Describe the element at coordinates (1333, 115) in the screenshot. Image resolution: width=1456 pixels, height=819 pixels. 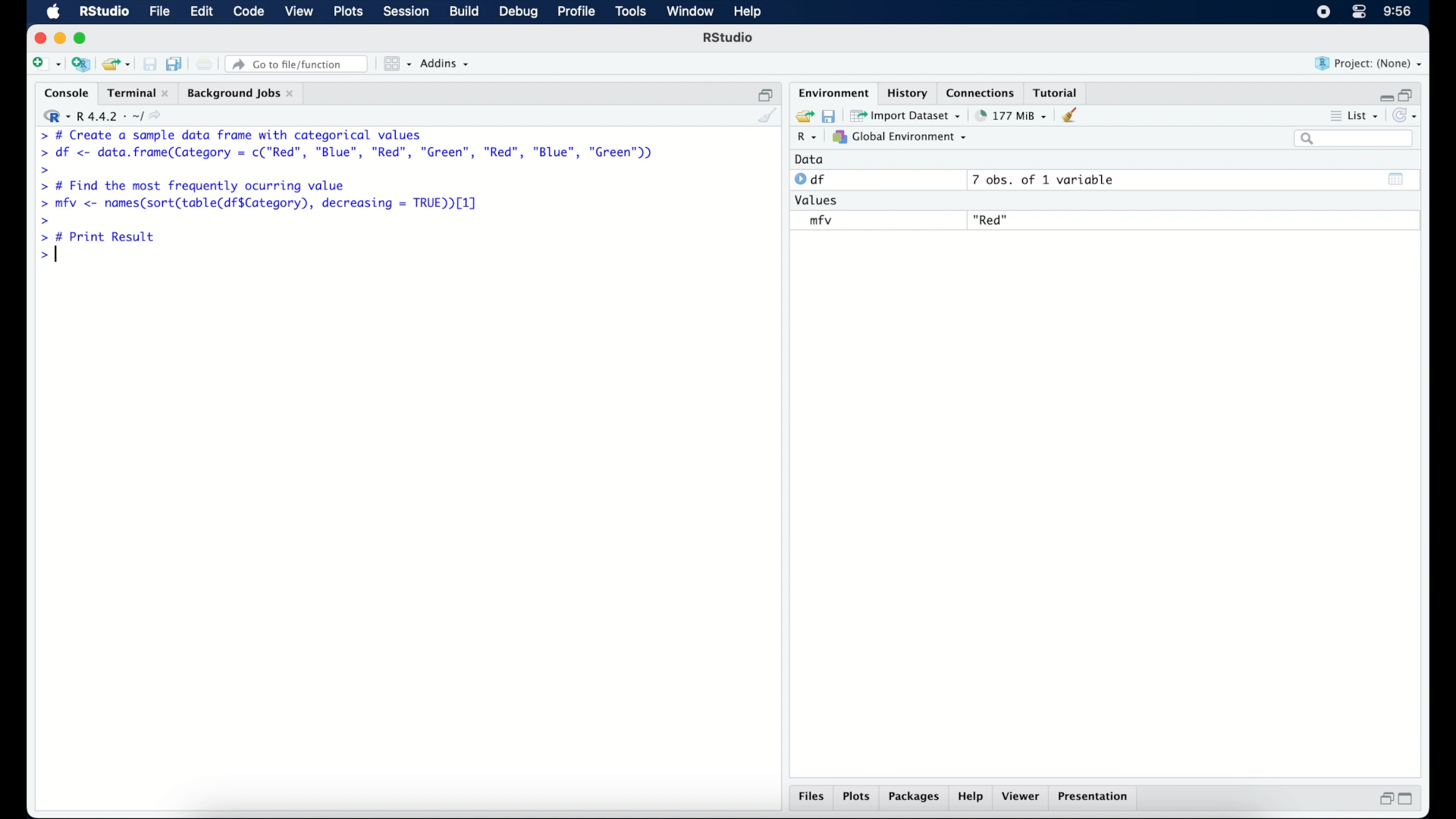
I see `more options` at that location.